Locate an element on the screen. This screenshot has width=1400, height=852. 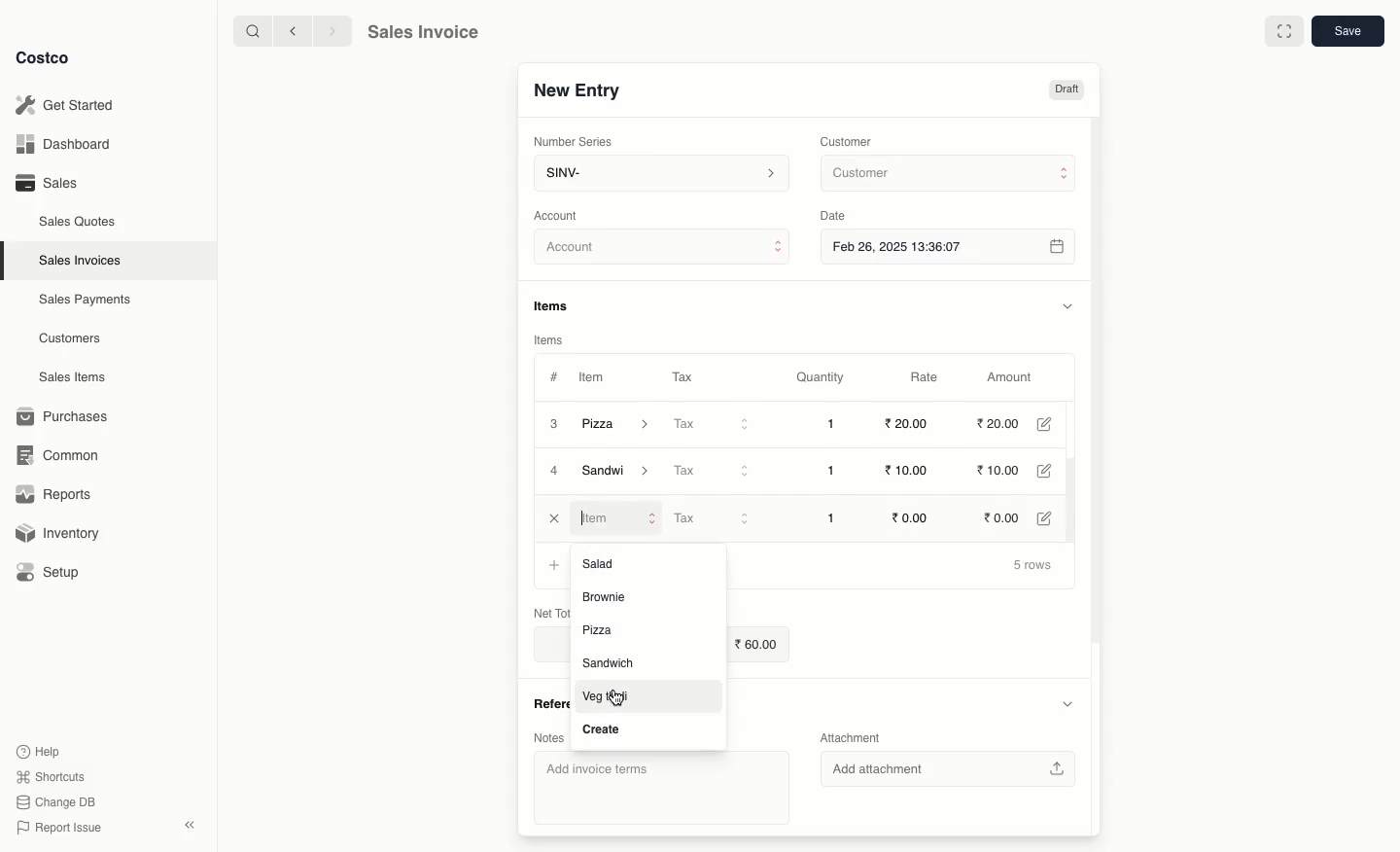
Add is located at coordinates (554, 563).